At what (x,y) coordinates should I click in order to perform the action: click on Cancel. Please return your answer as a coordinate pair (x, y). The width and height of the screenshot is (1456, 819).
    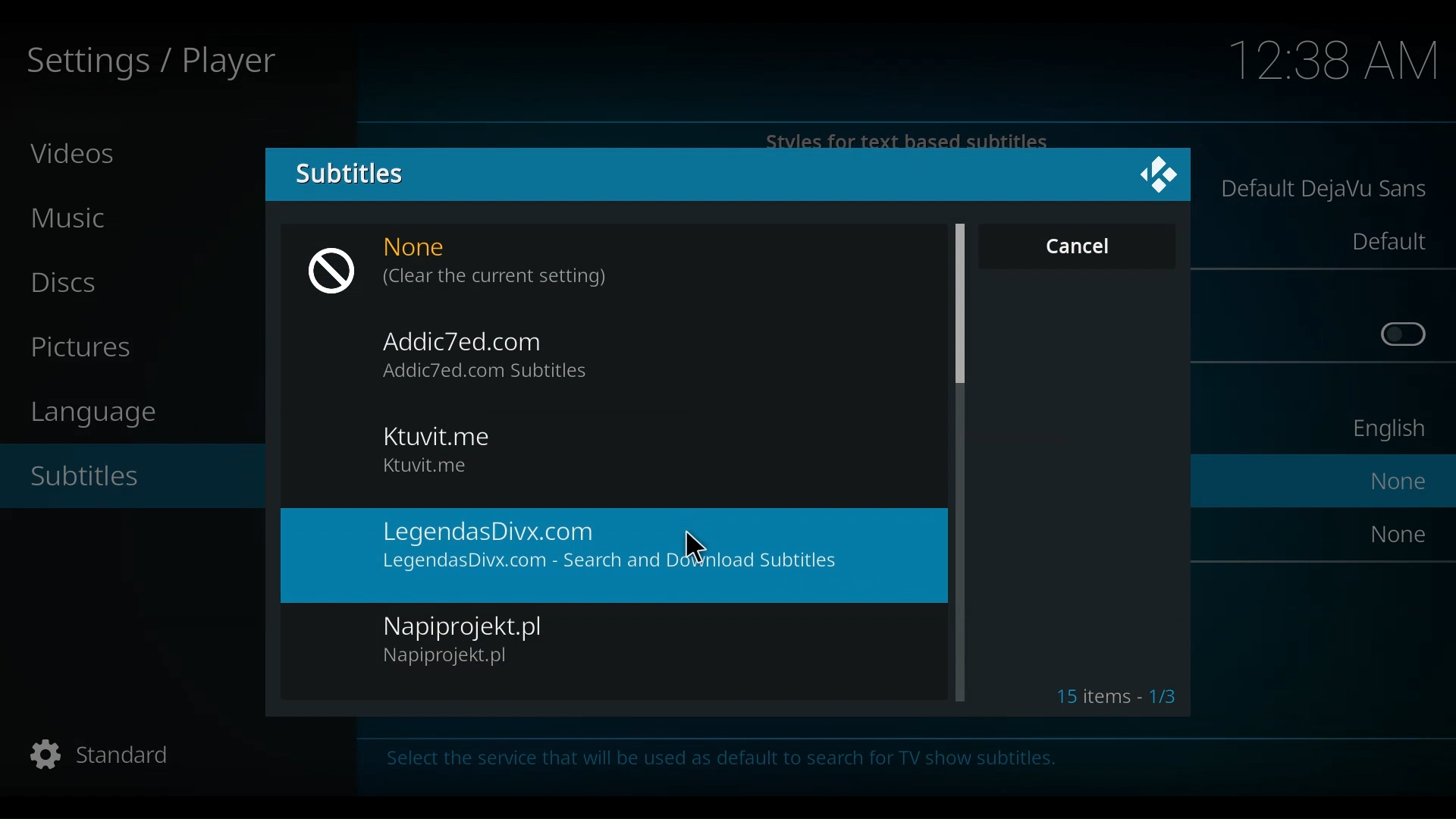
    Looking at the image, I should click on (1076, 245).